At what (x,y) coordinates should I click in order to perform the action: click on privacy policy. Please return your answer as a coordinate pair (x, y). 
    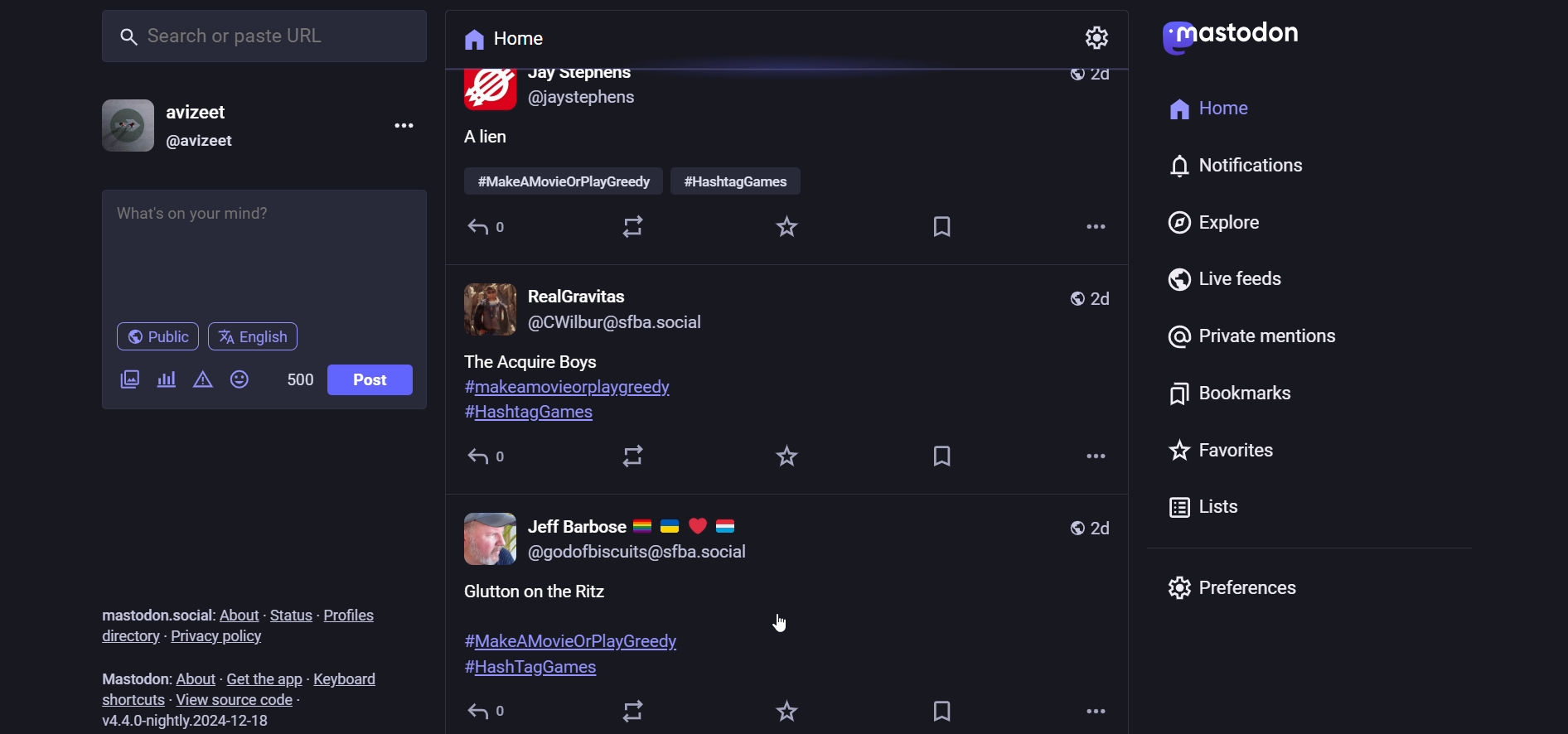
    Looking at the image, I should click on (221, 636).